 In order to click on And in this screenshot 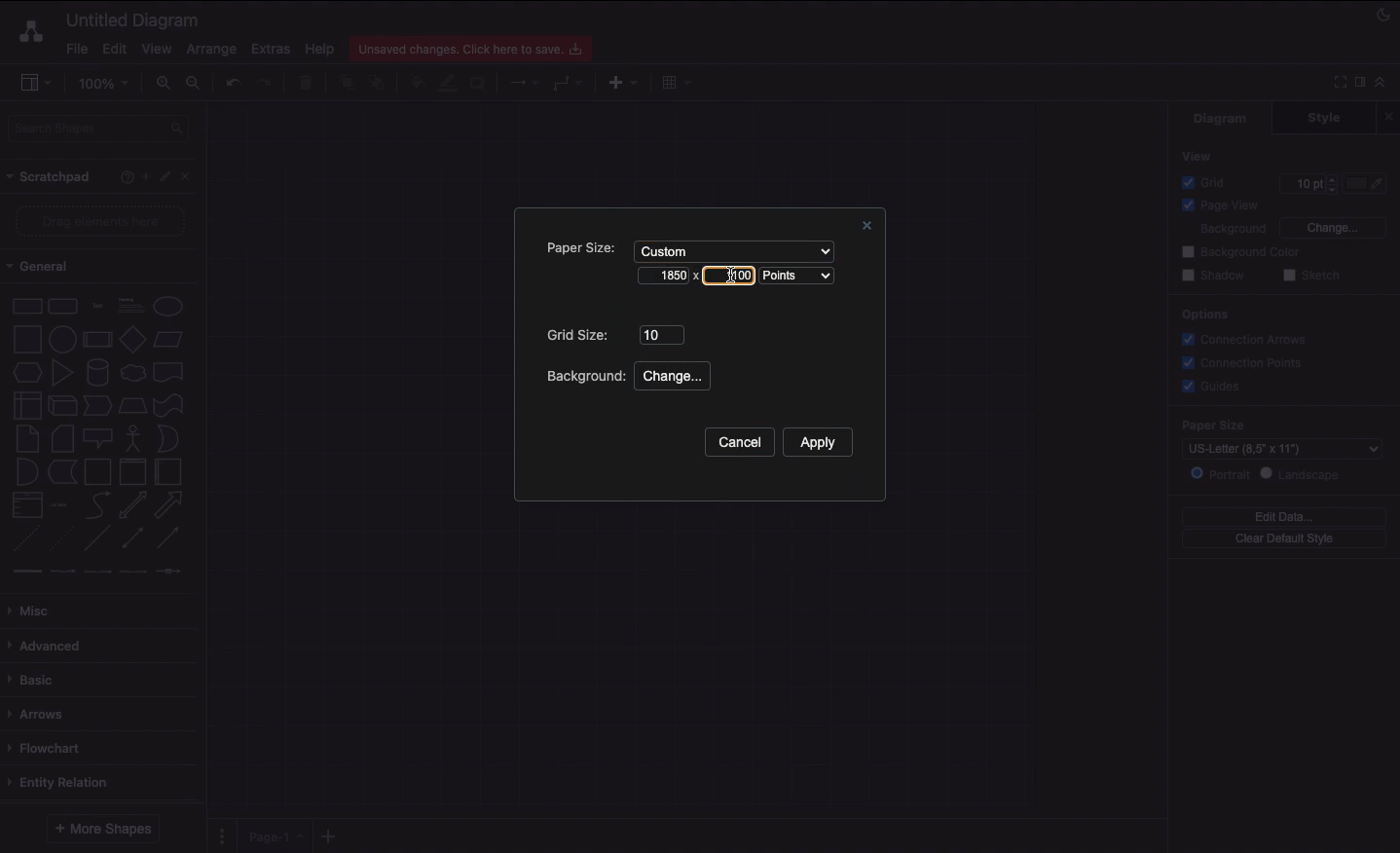, I will do `click(28, 473)`.